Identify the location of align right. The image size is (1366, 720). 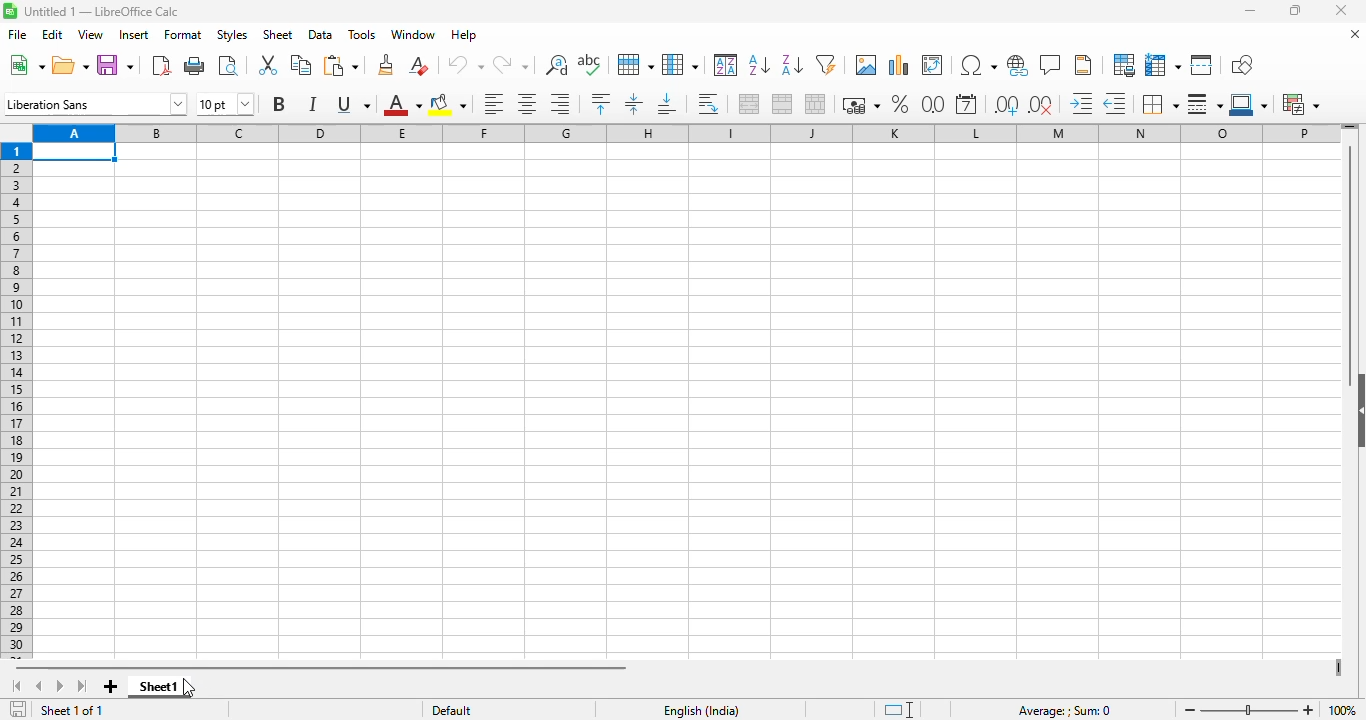
(560, 104).